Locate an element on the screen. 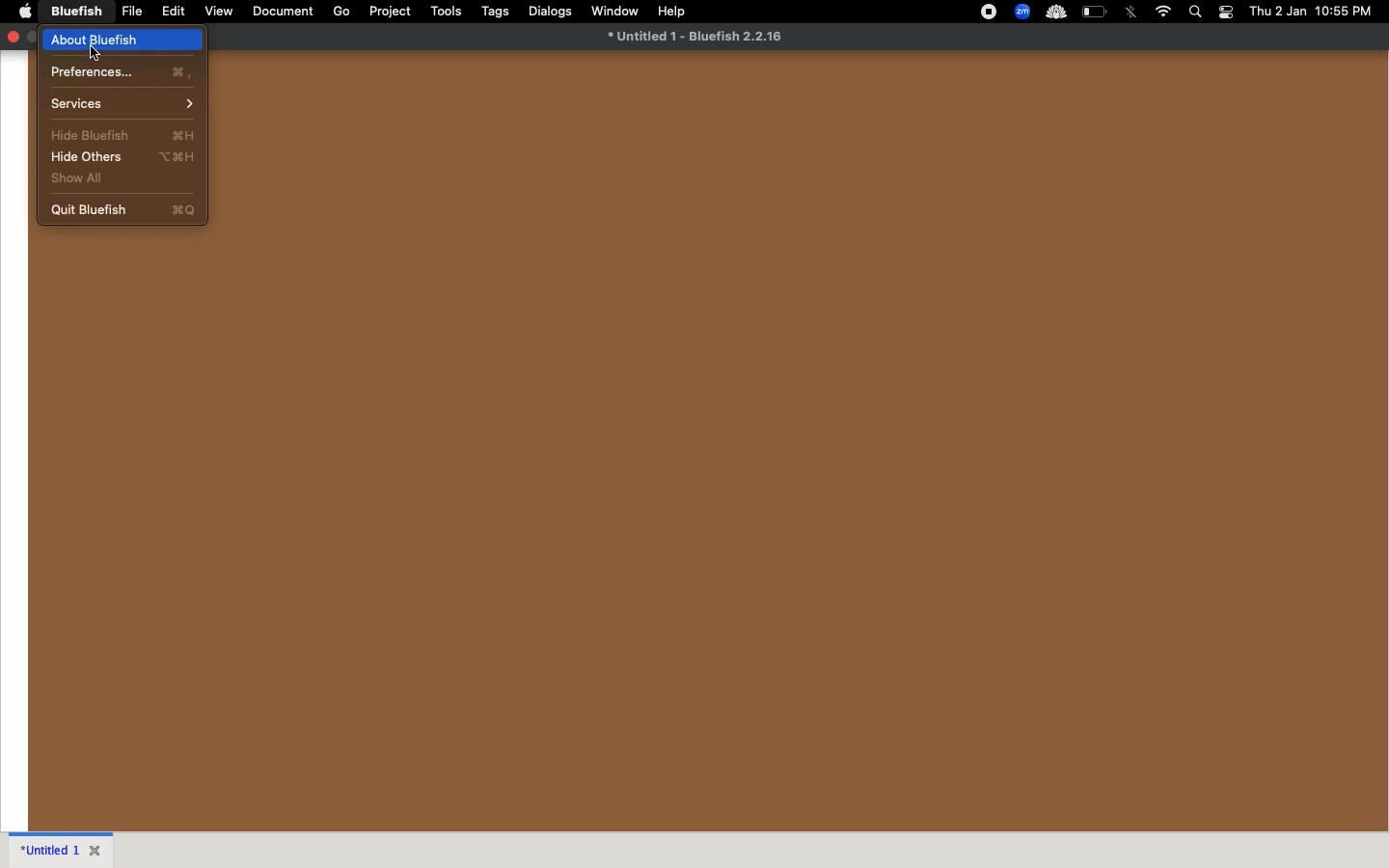  dialogs is located at coordinates (552, 11).